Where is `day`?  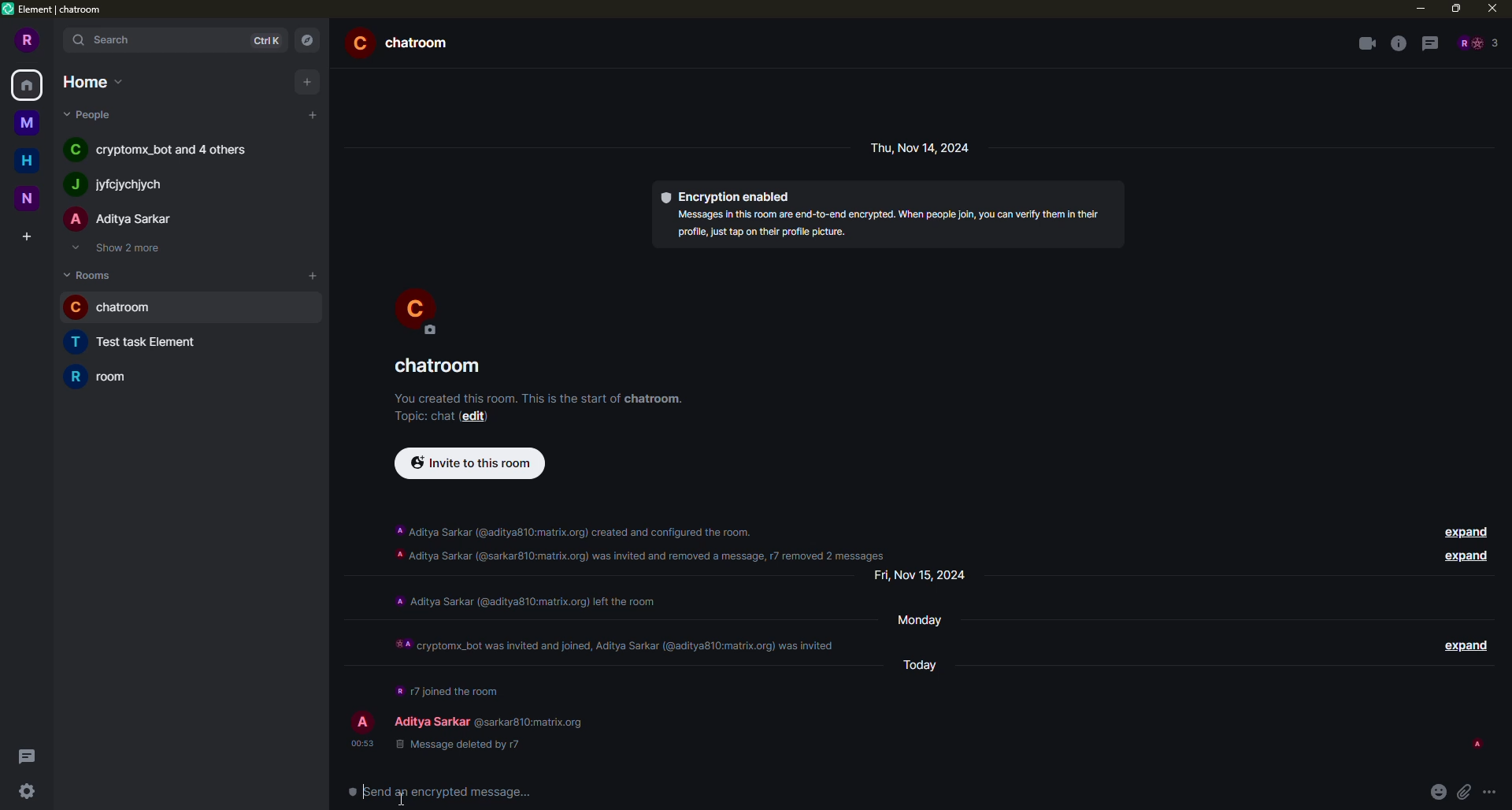
day is located at coordinates (928, 663).